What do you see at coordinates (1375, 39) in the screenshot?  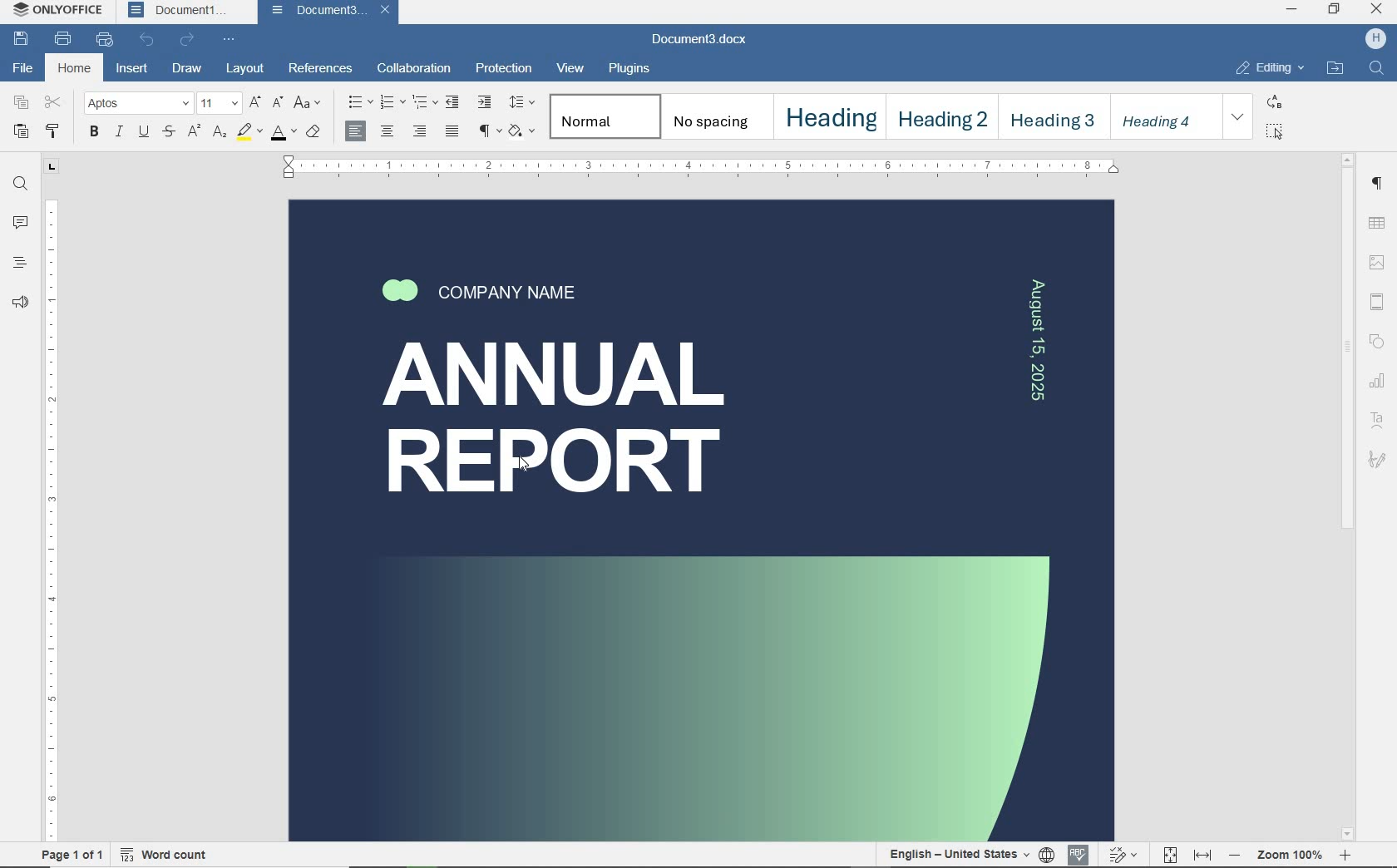 I see `hp` at bounding box center [1375, 39].